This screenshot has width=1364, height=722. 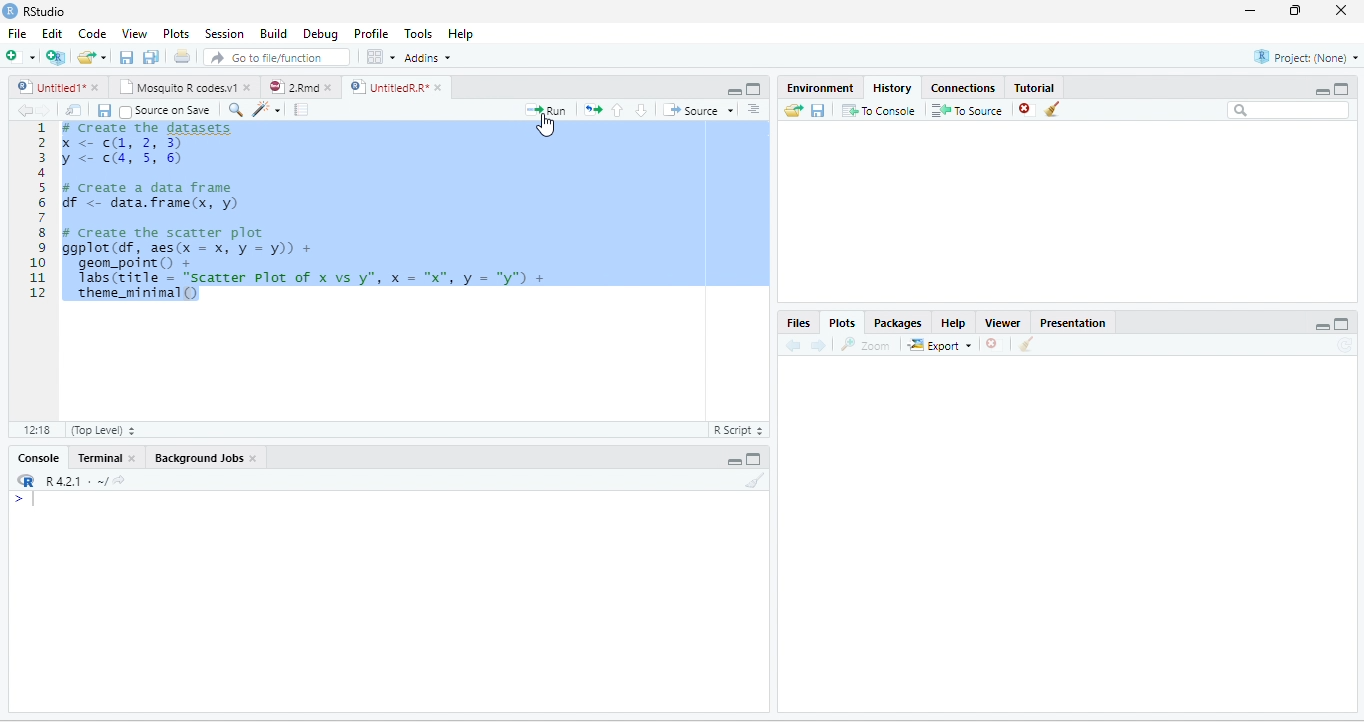 What do you see at coordinates (641, 110) in the screenshot?
I see `Go to next section/chunk` at bounding box center [641, 110].